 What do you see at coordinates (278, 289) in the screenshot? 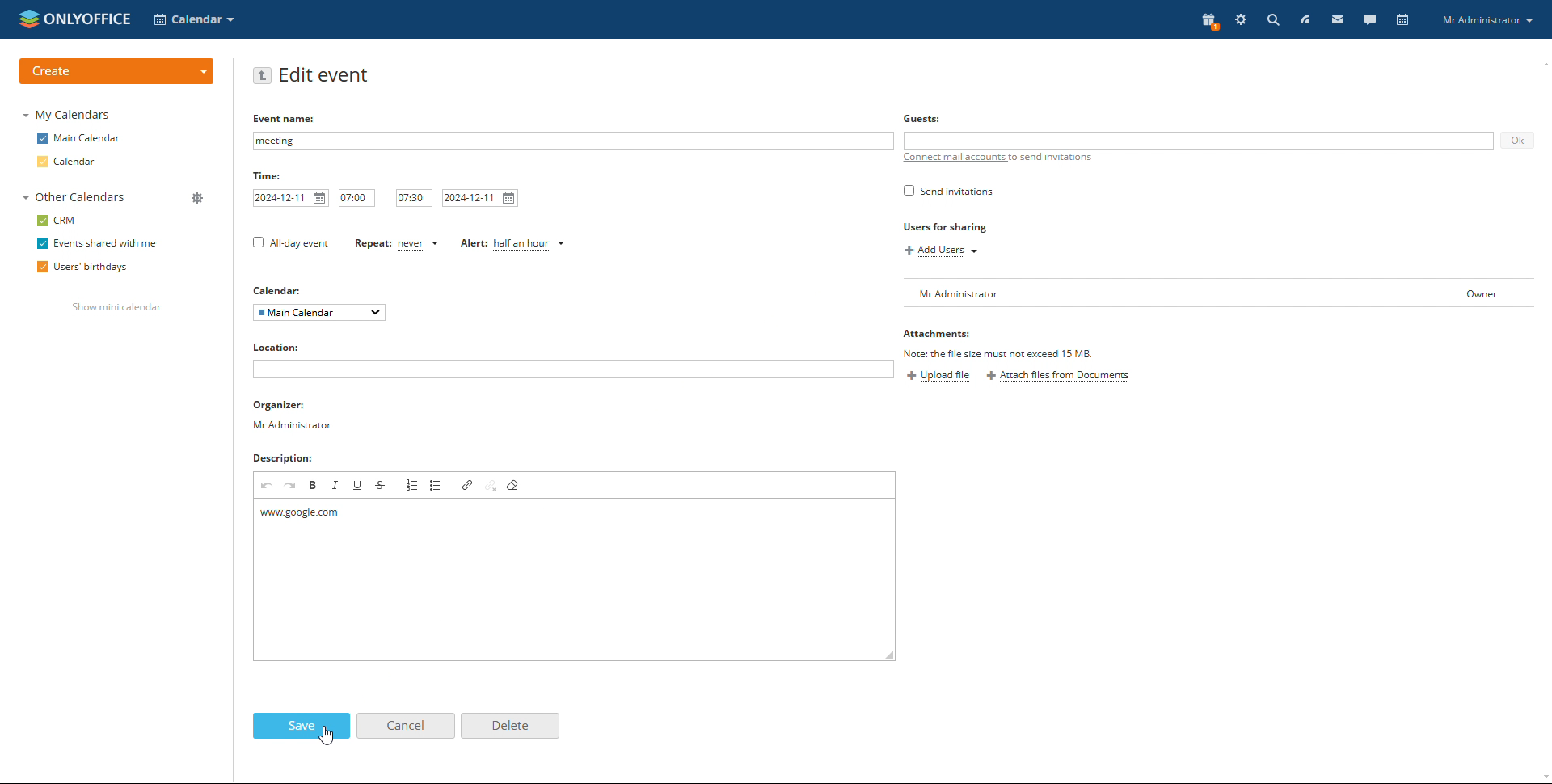
I see `Calender` at bounding box center [278, 289].